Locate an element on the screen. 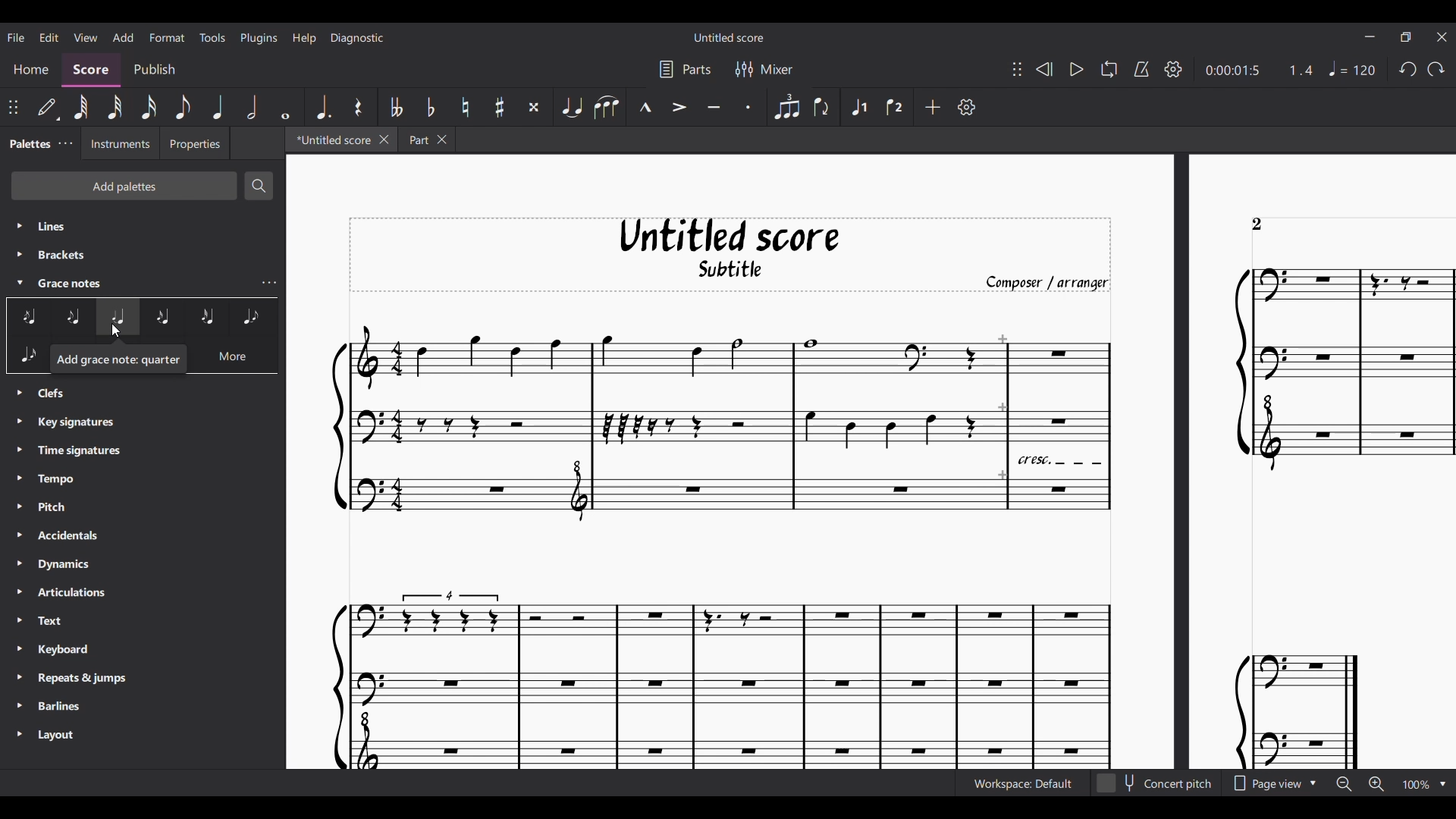 This screenshot has height=819, width=1456. Expand respective palette is located at coordinates (19, 566).